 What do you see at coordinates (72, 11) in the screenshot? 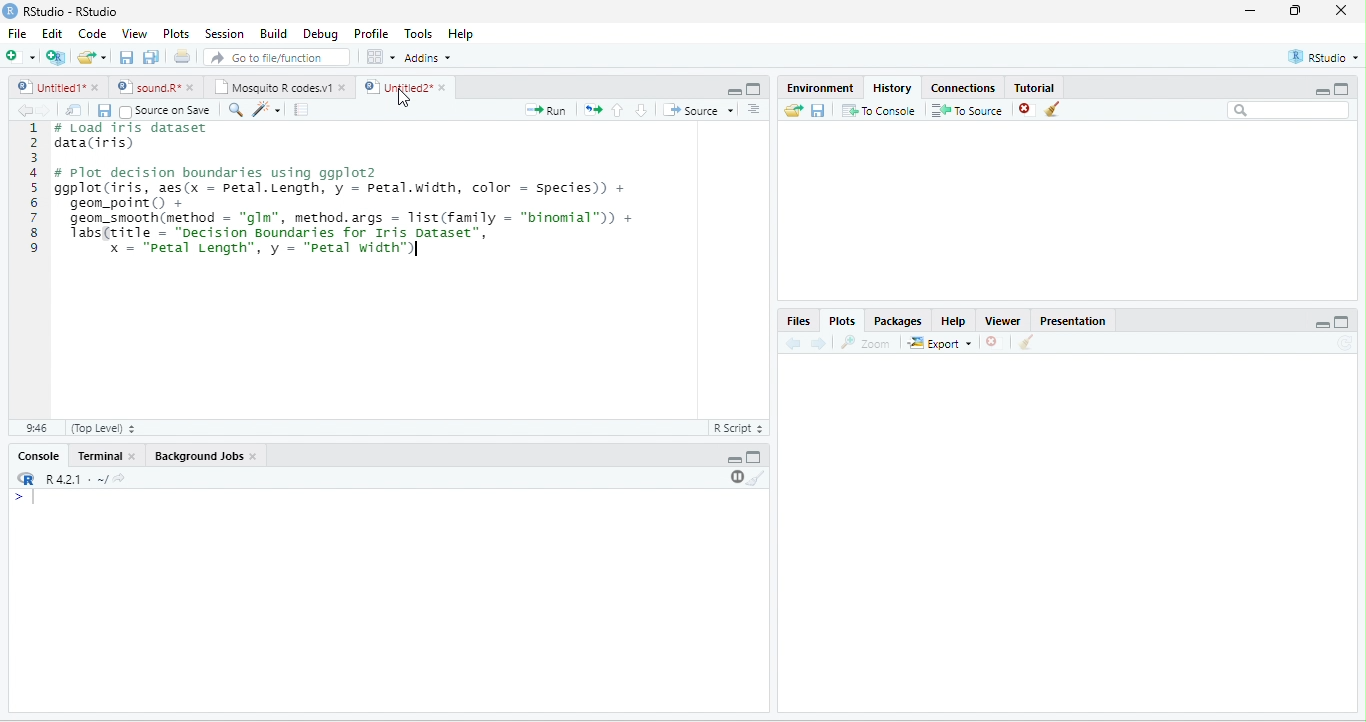
I see `RStudio-RStudio` at bounding box center [72, 11].